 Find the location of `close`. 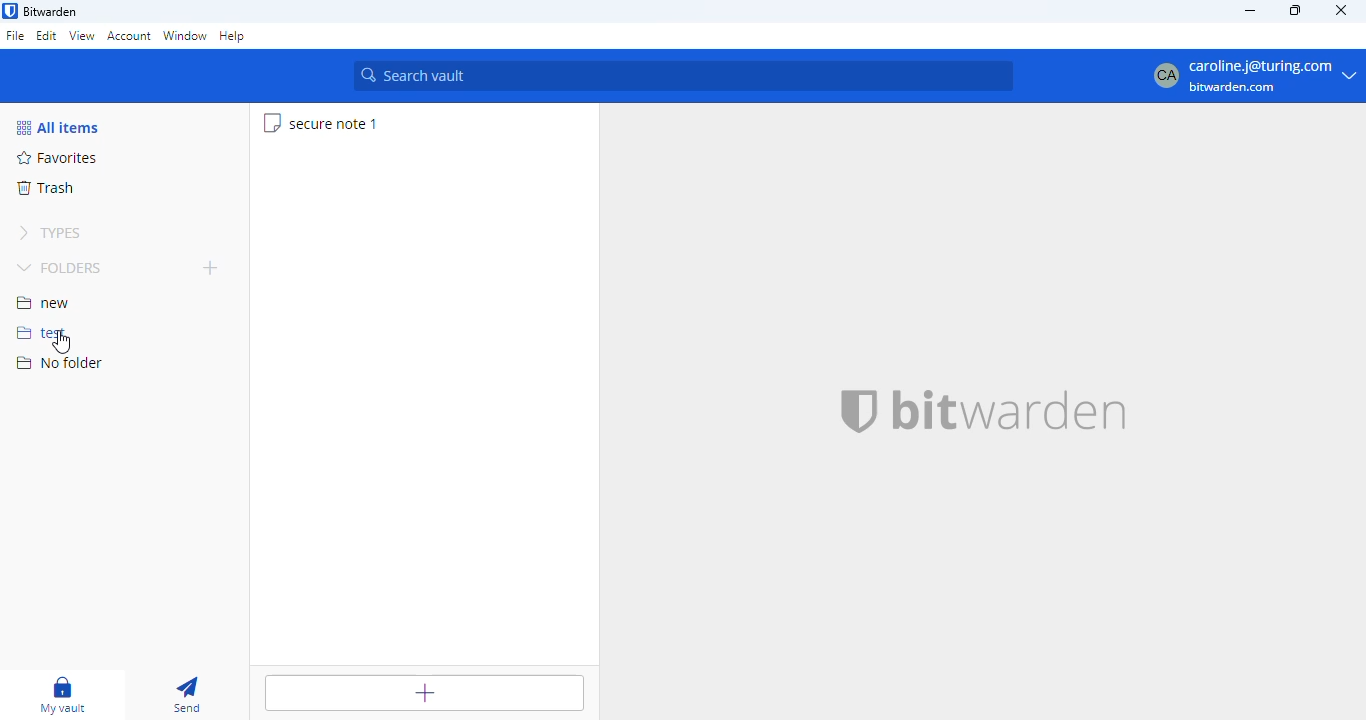

close is located at coordinates (1342, 10).